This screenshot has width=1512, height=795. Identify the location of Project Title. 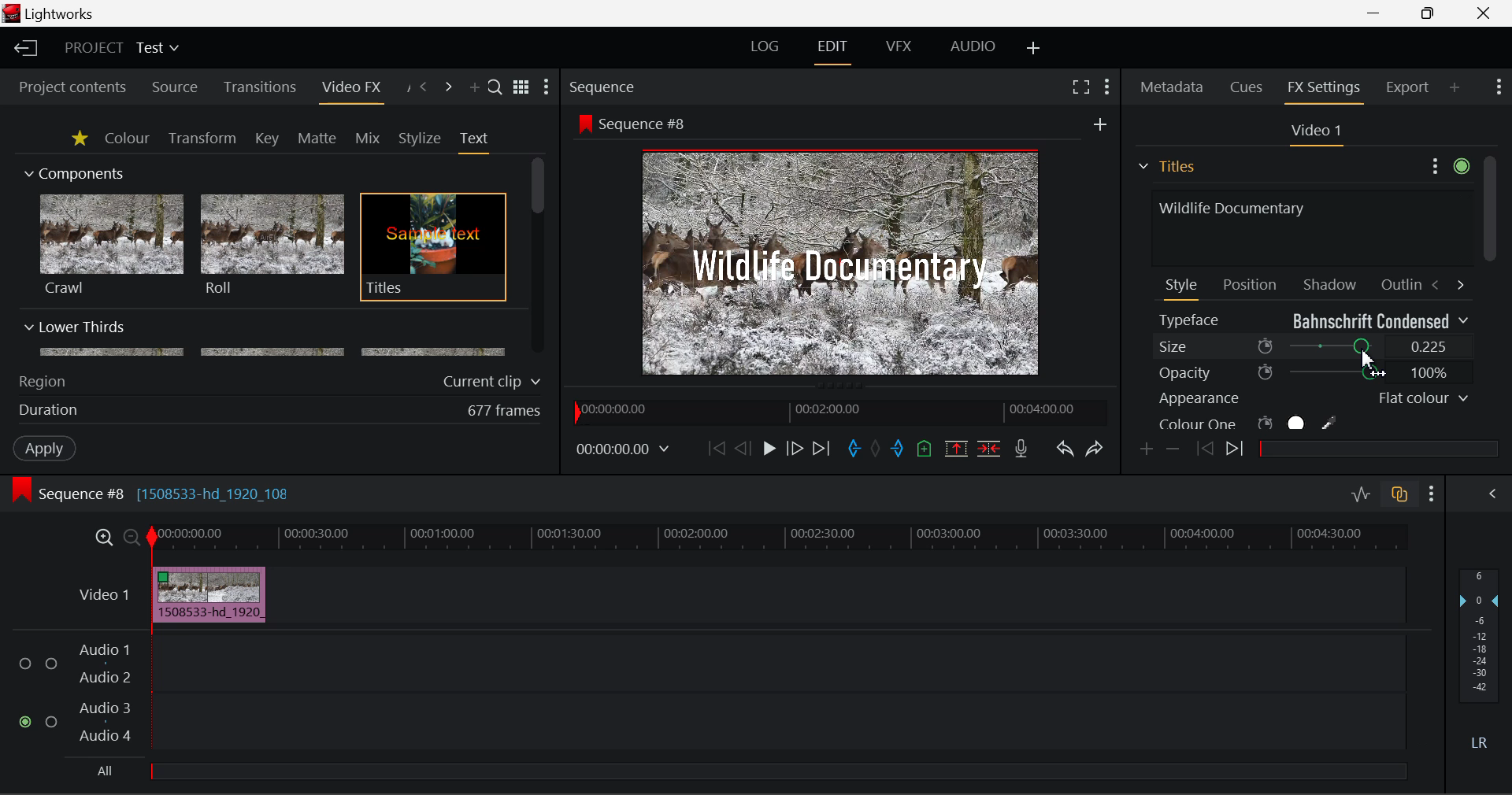
(123, 46).